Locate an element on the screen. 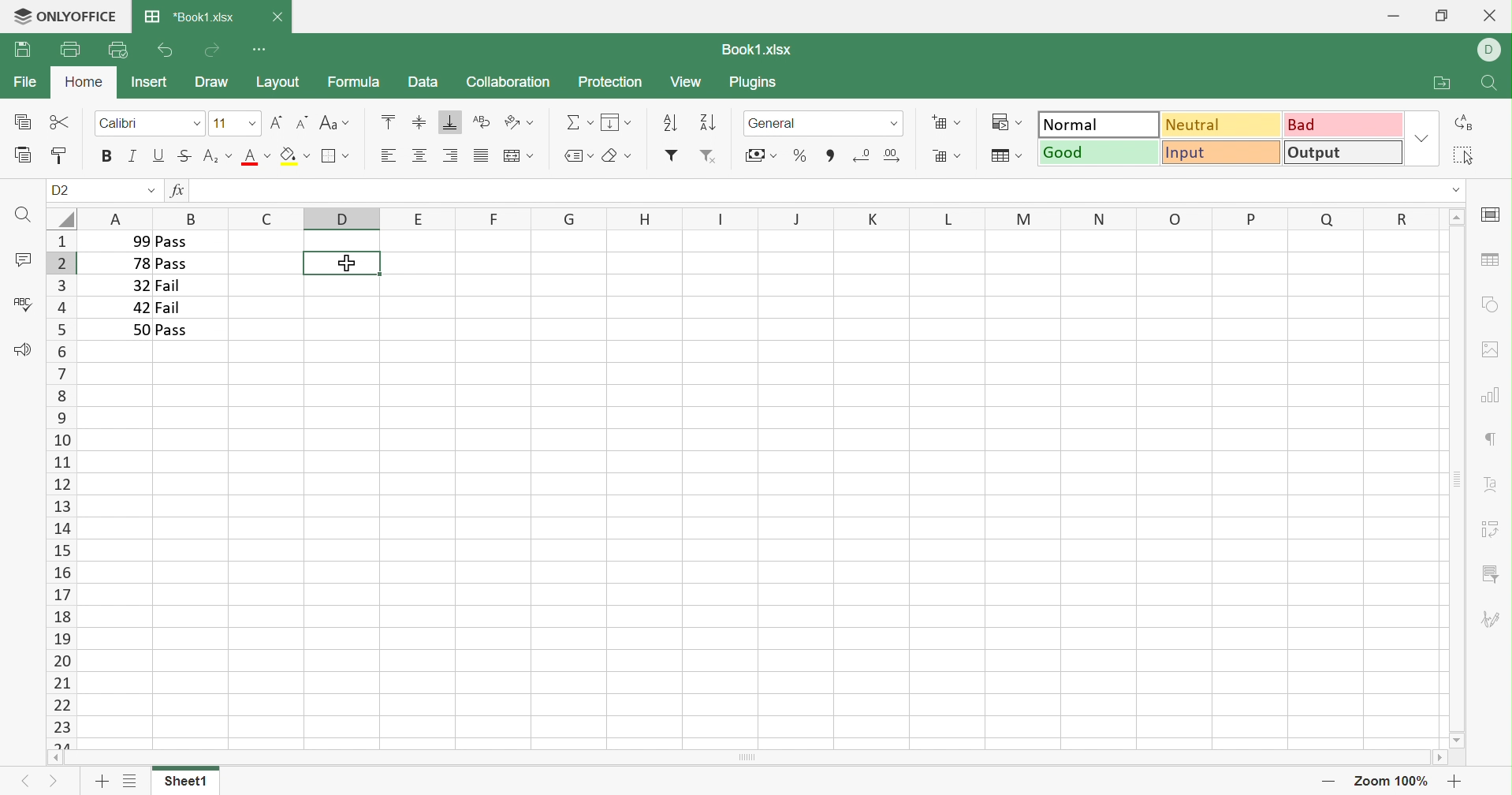 The width and height of the screenshot is (1512, 795). Clear is located at coordinates (618, 156).